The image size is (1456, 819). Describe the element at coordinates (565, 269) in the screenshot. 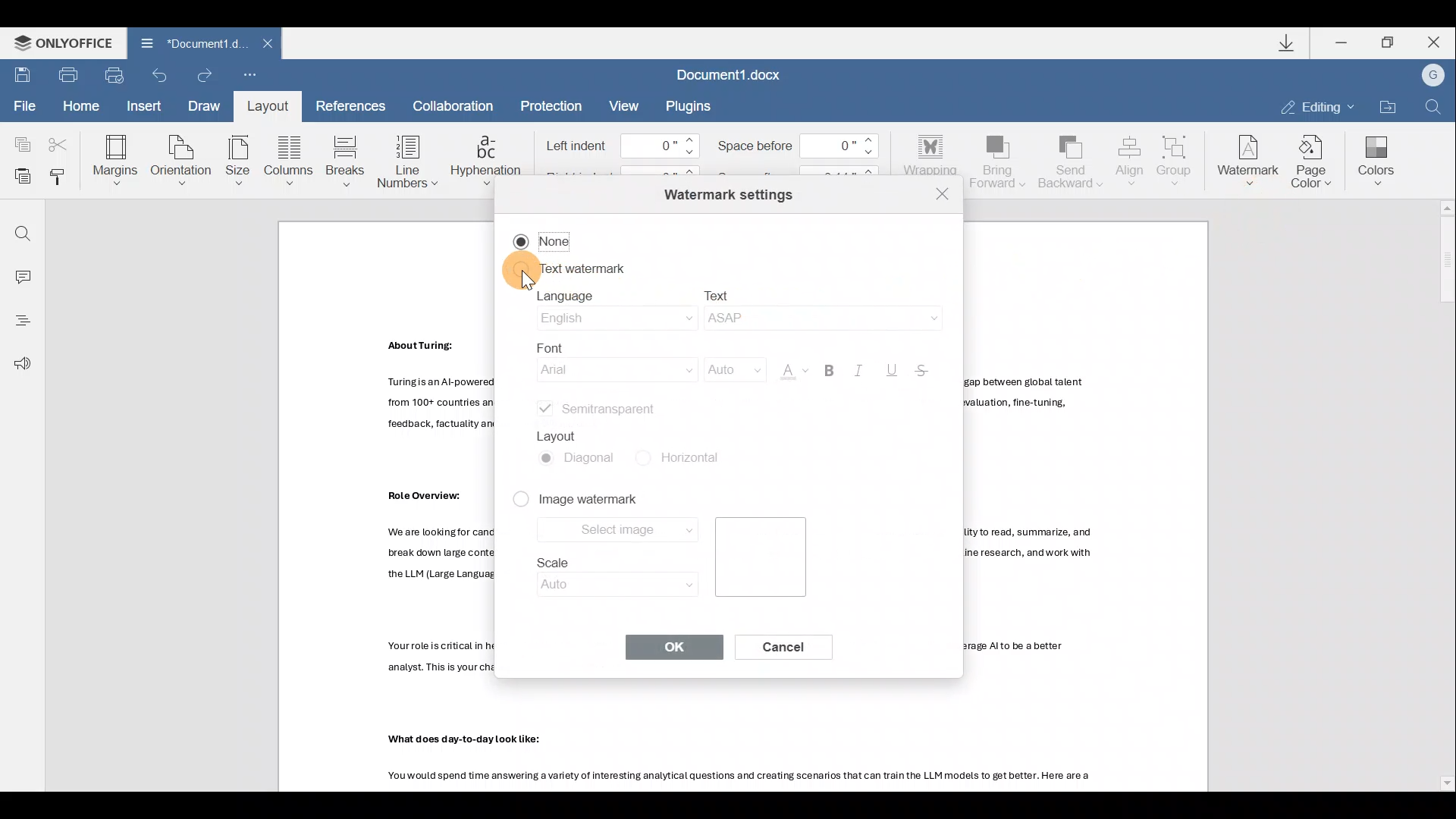

I see `Text watermark` at that location.